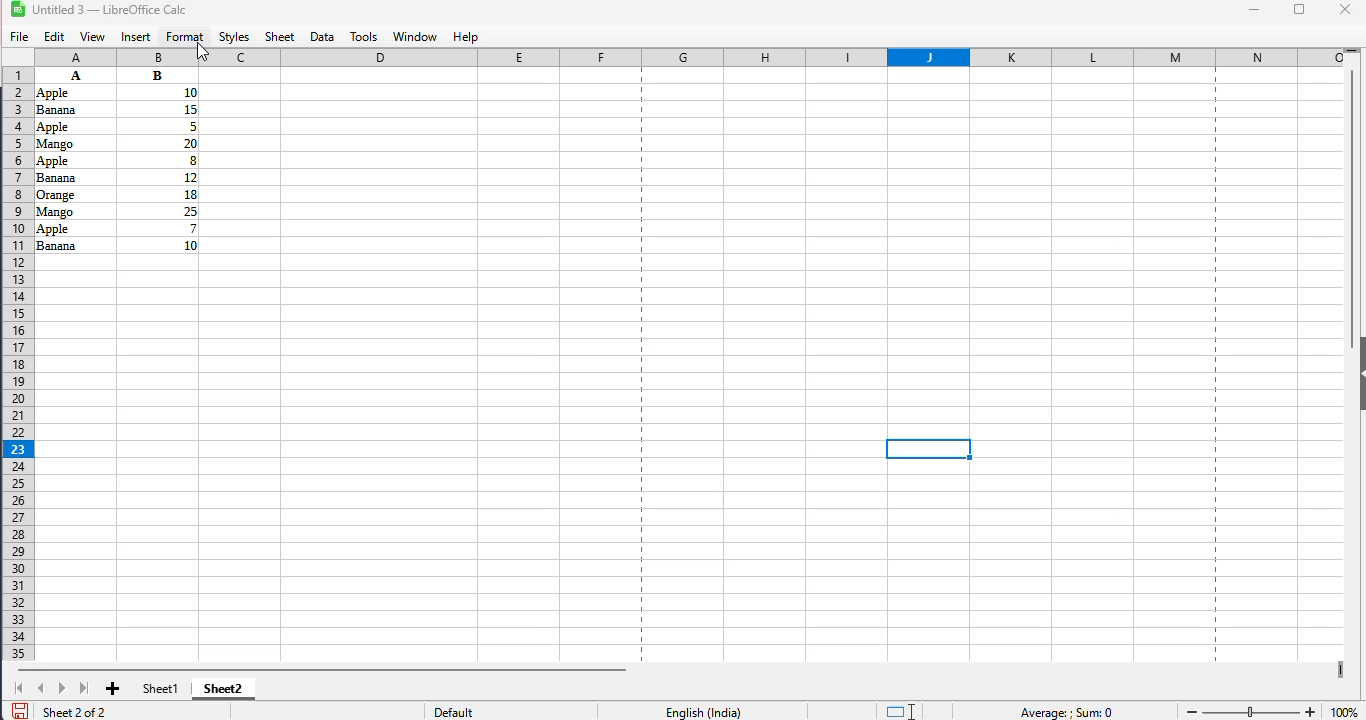  What do you see at coordinates (114, 689) in the screenshot?
I see `add new sheet` at bounding box center [114, 689].